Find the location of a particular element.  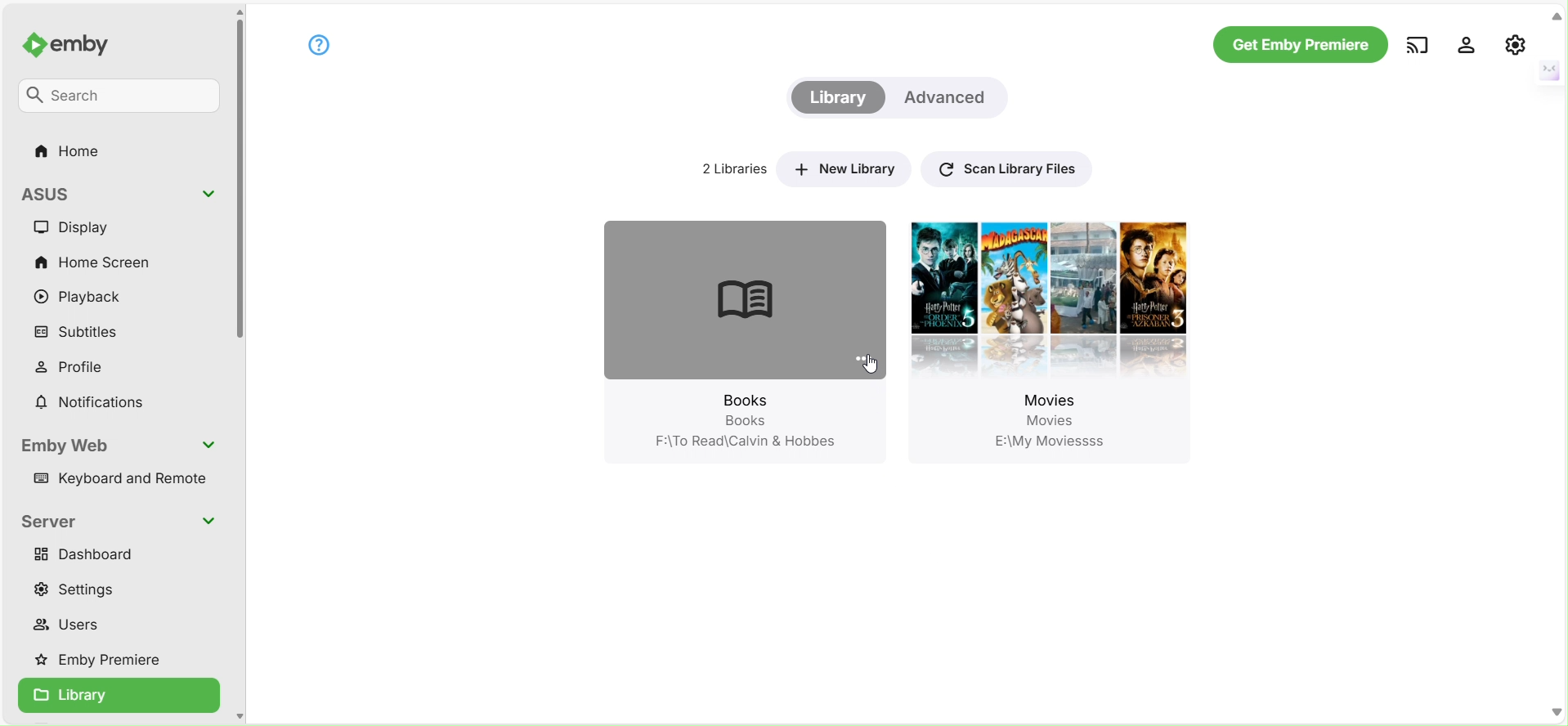

Notifications is located at coordinates (91, 403).